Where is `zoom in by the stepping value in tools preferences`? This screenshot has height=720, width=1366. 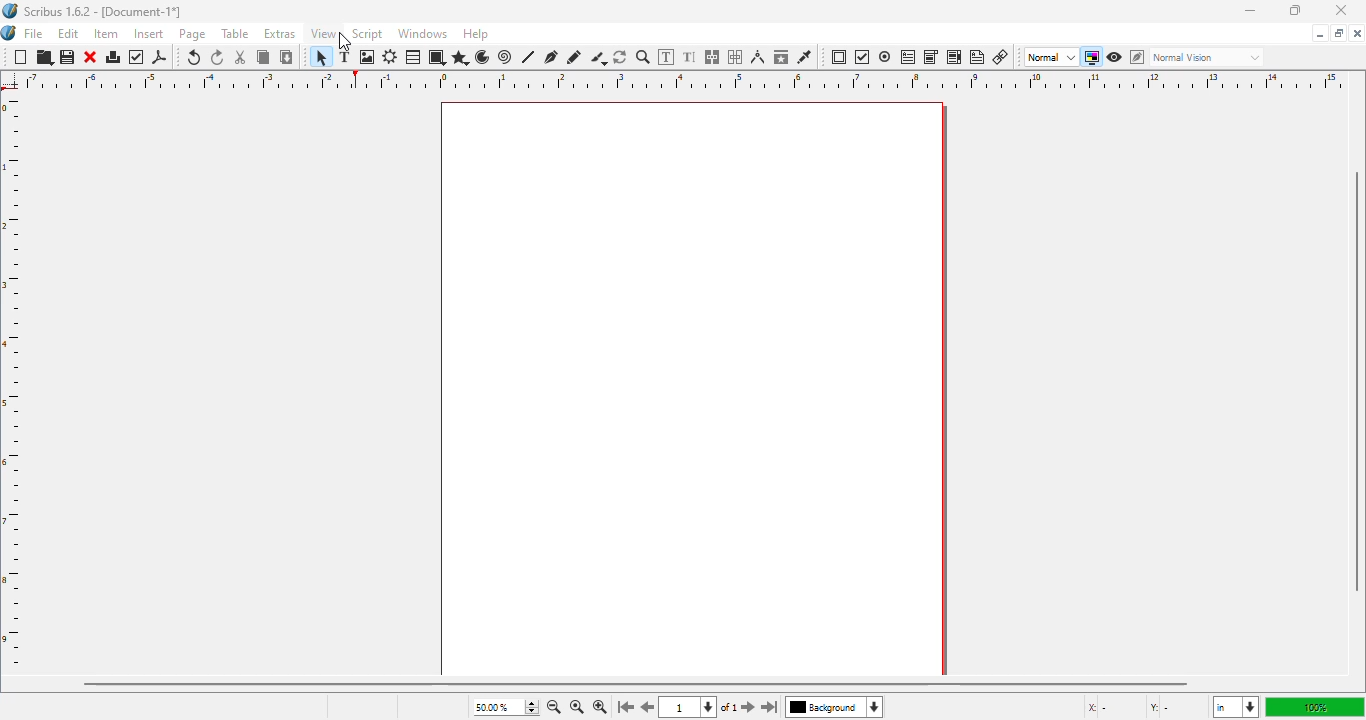 zoom in by the stepping value in tools preferences is located at coordinates (599, 708).